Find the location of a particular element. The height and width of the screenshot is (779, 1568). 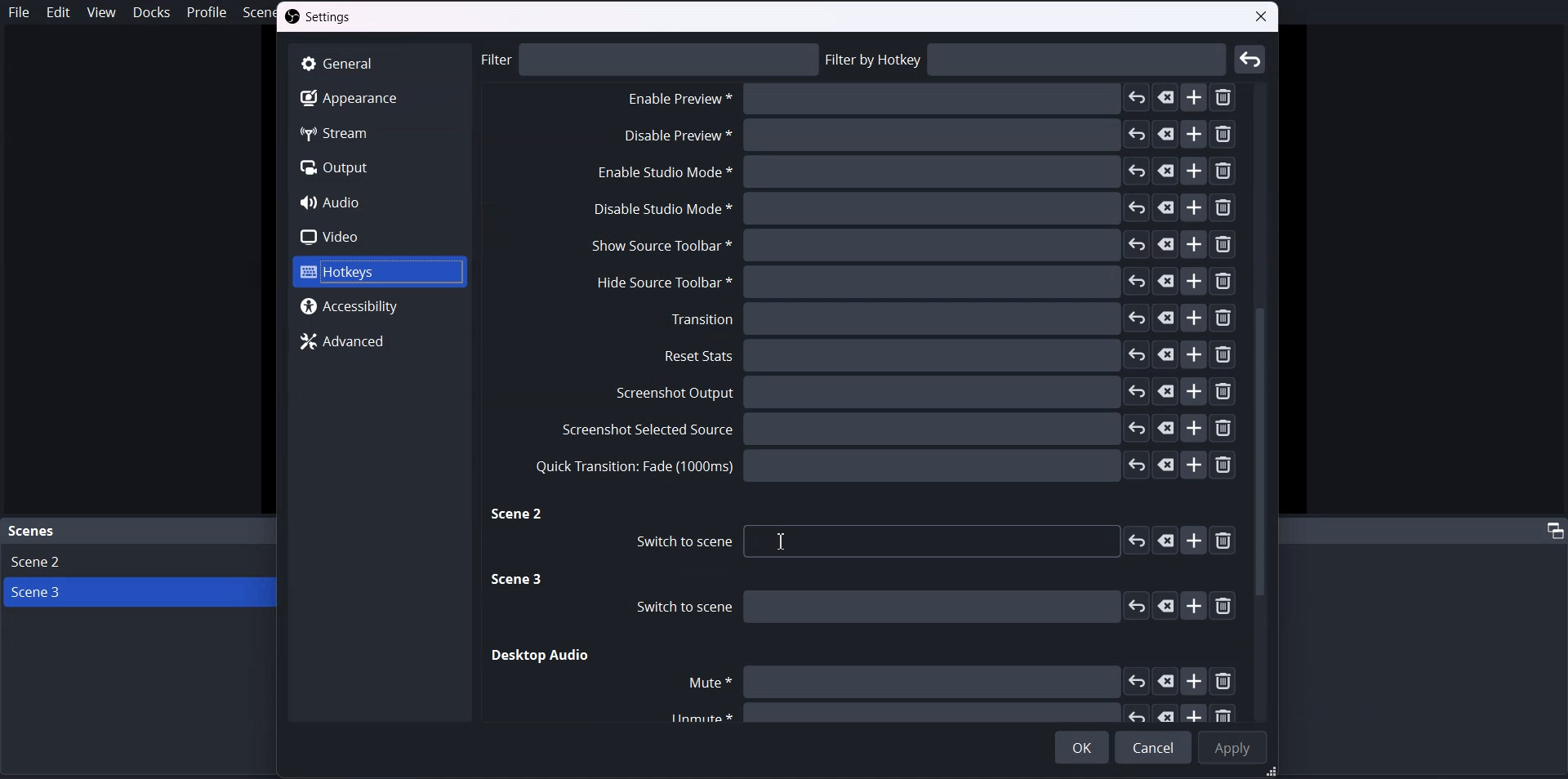

Disable studio mode is located at coordinates (913, 209).